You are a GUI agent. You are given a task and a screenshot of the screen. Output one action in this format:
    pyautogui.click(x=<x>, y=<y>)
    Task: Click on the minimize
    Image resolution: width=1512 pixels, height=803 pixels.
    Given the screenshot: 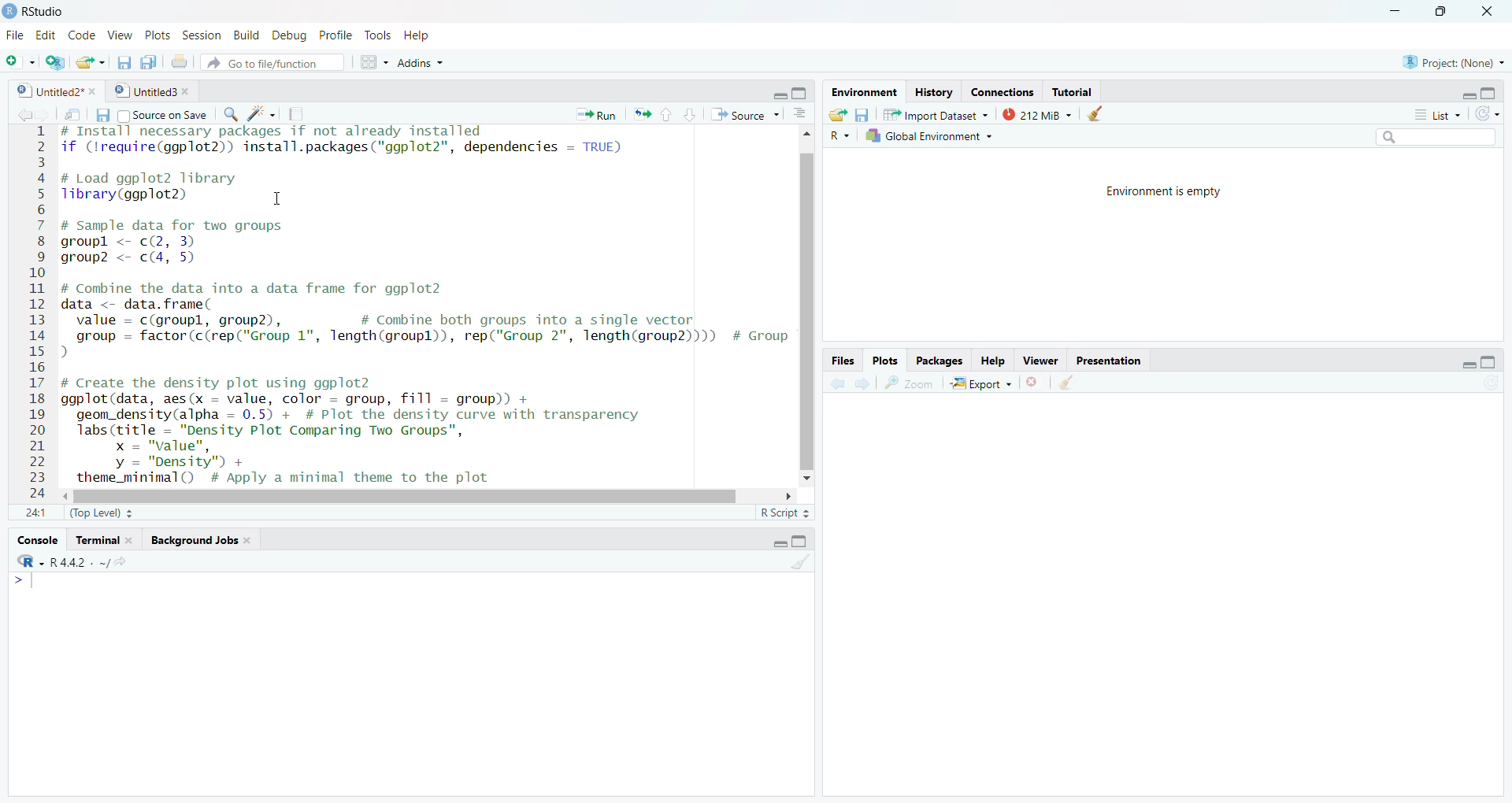 What is the action you would take?
    pyautogui.click(x=1451, y=361)
    